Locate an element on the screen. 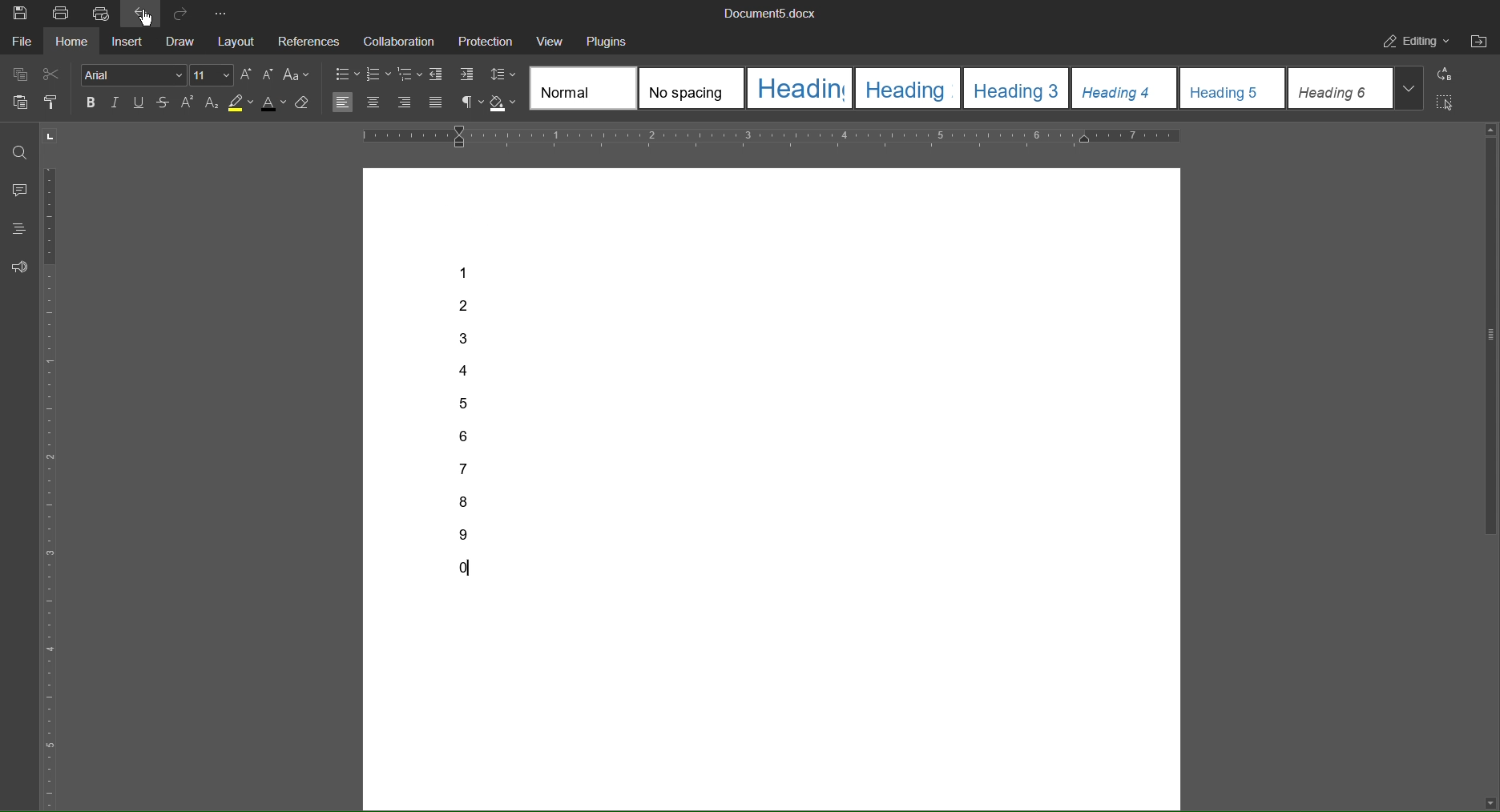  template is located at coordinates (909, 88).